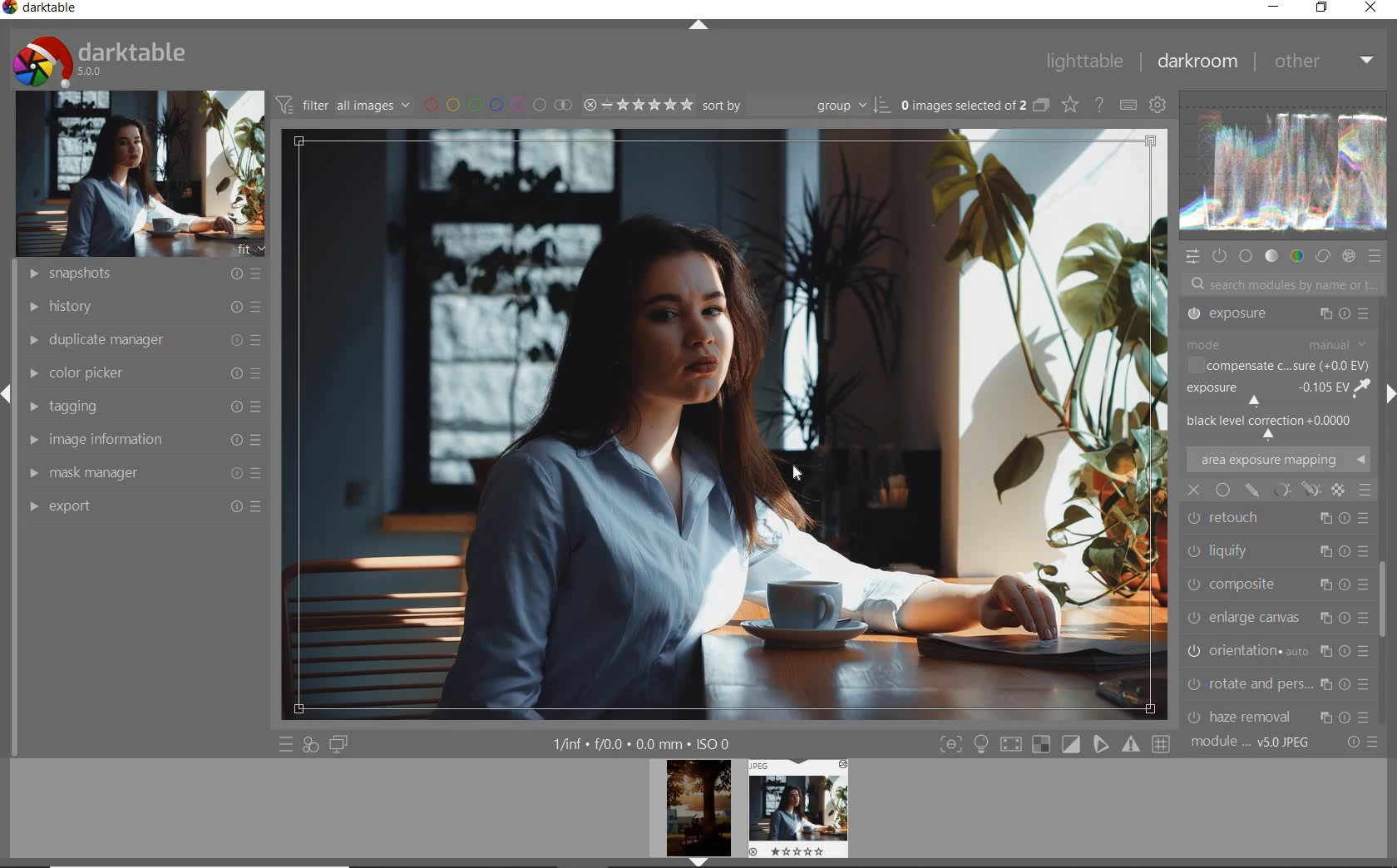 This screenshot has width=1397, height=868. Describe the element at coordinates (960, 106) in the screenshot. I see `SELECTED IMAGES` at that location.